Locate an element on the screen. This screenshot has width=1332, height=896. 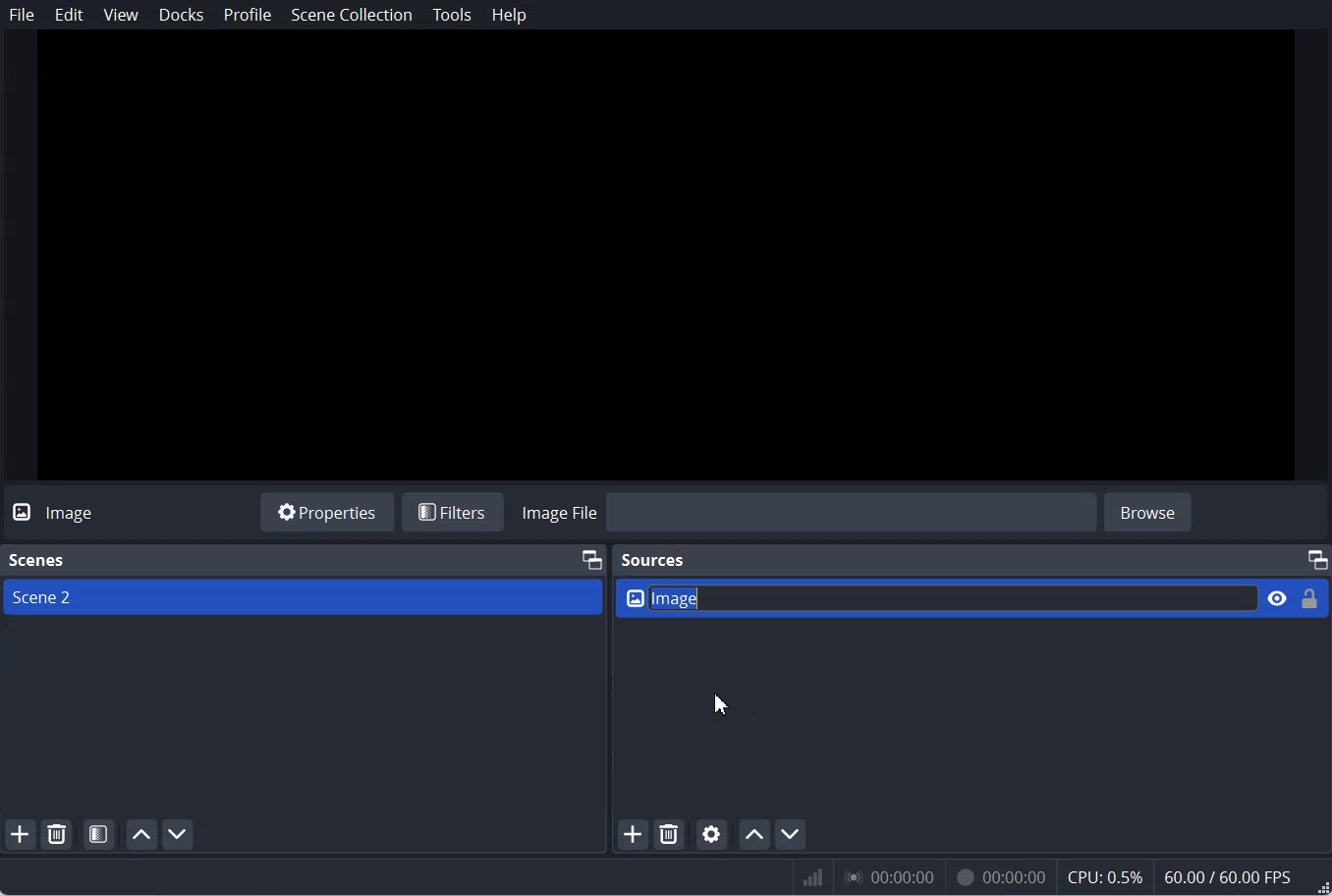
Move source down is located at coordinates (792, 833).